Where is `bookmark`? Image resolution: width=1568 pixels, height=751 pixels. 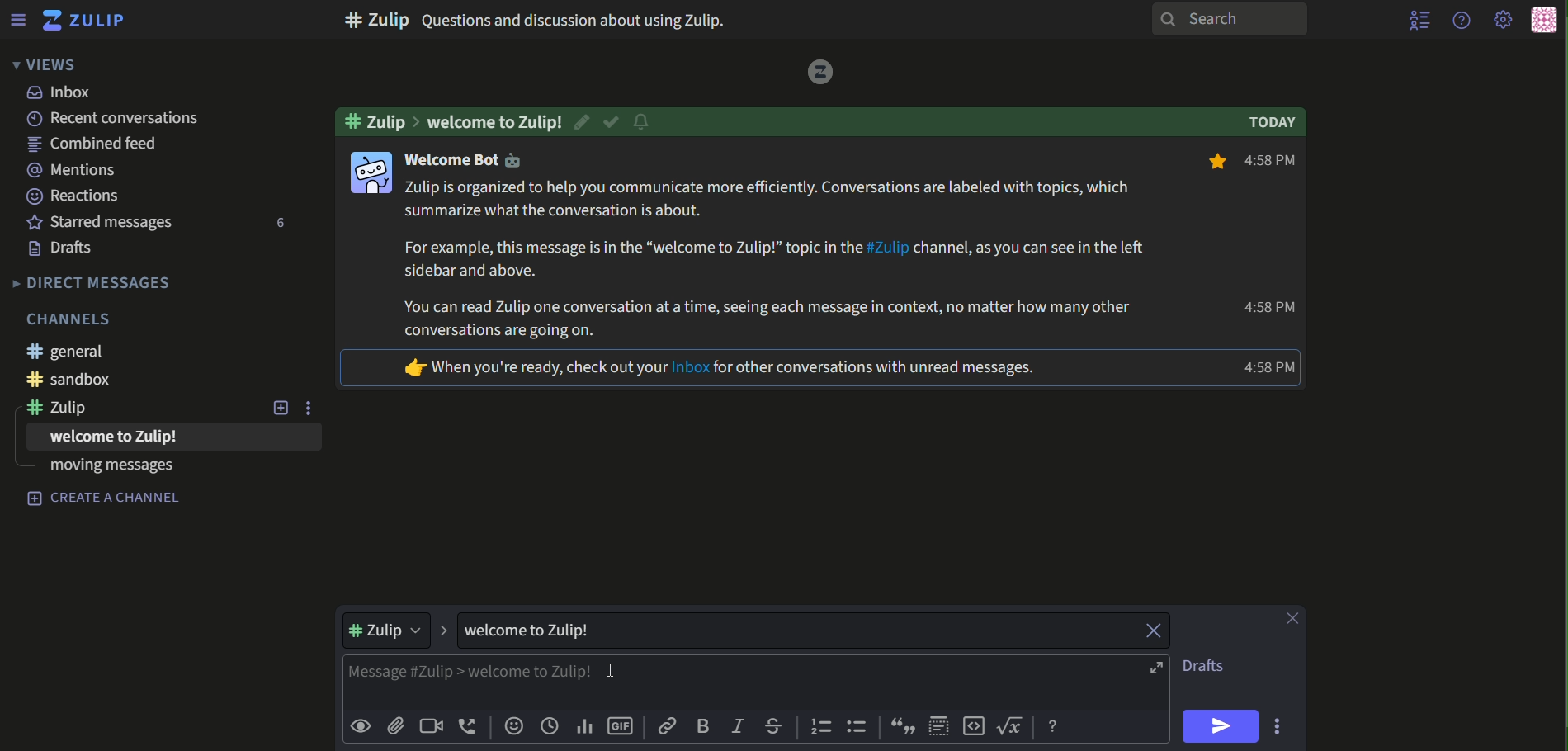 bookmark is located at coordinates (1213, 163).